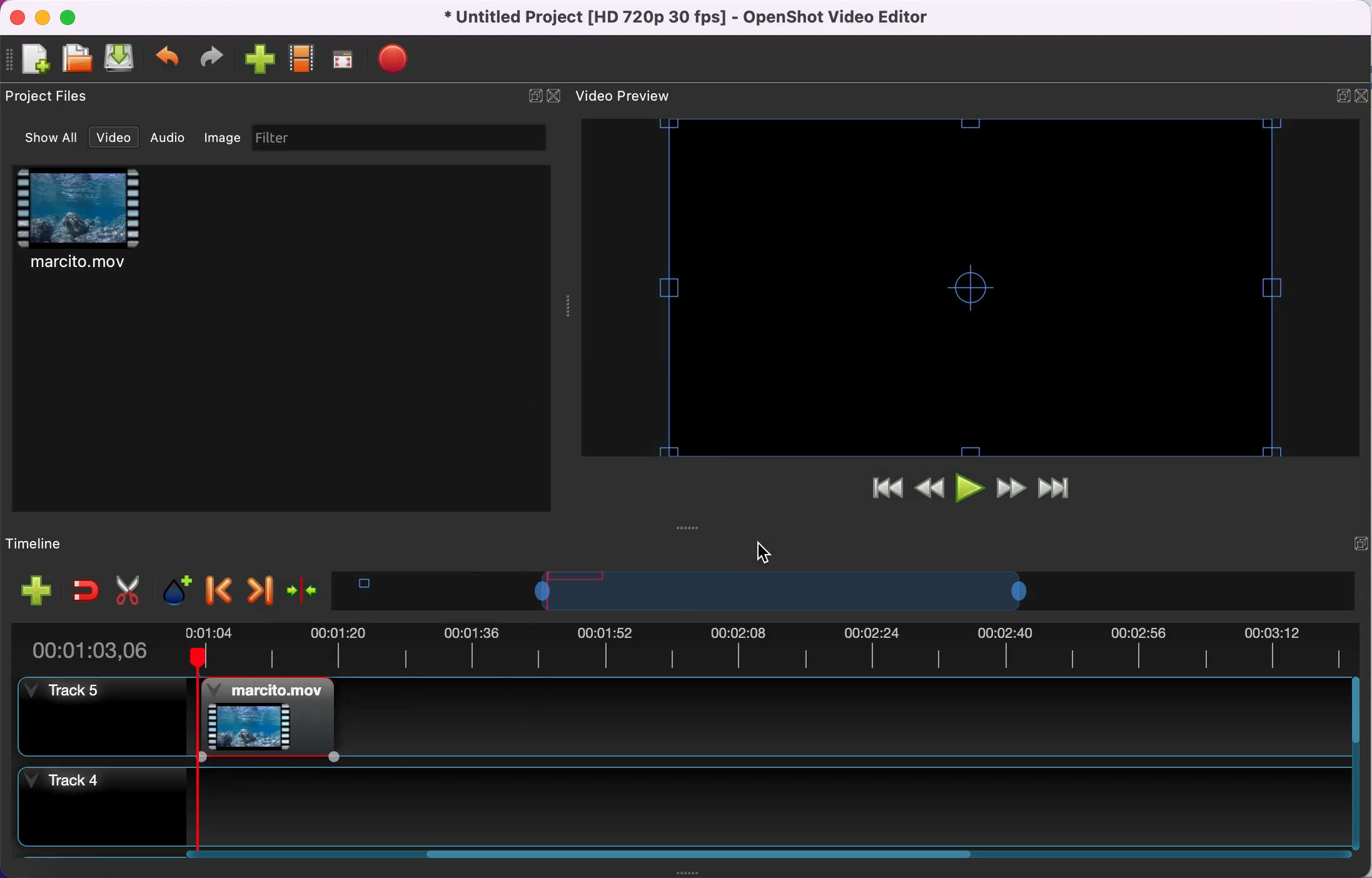 The image size is (1372, 878). What do you see at coordinates (683, 650) in the screenshot?
I see `duration` at bounding box center [683, 650].